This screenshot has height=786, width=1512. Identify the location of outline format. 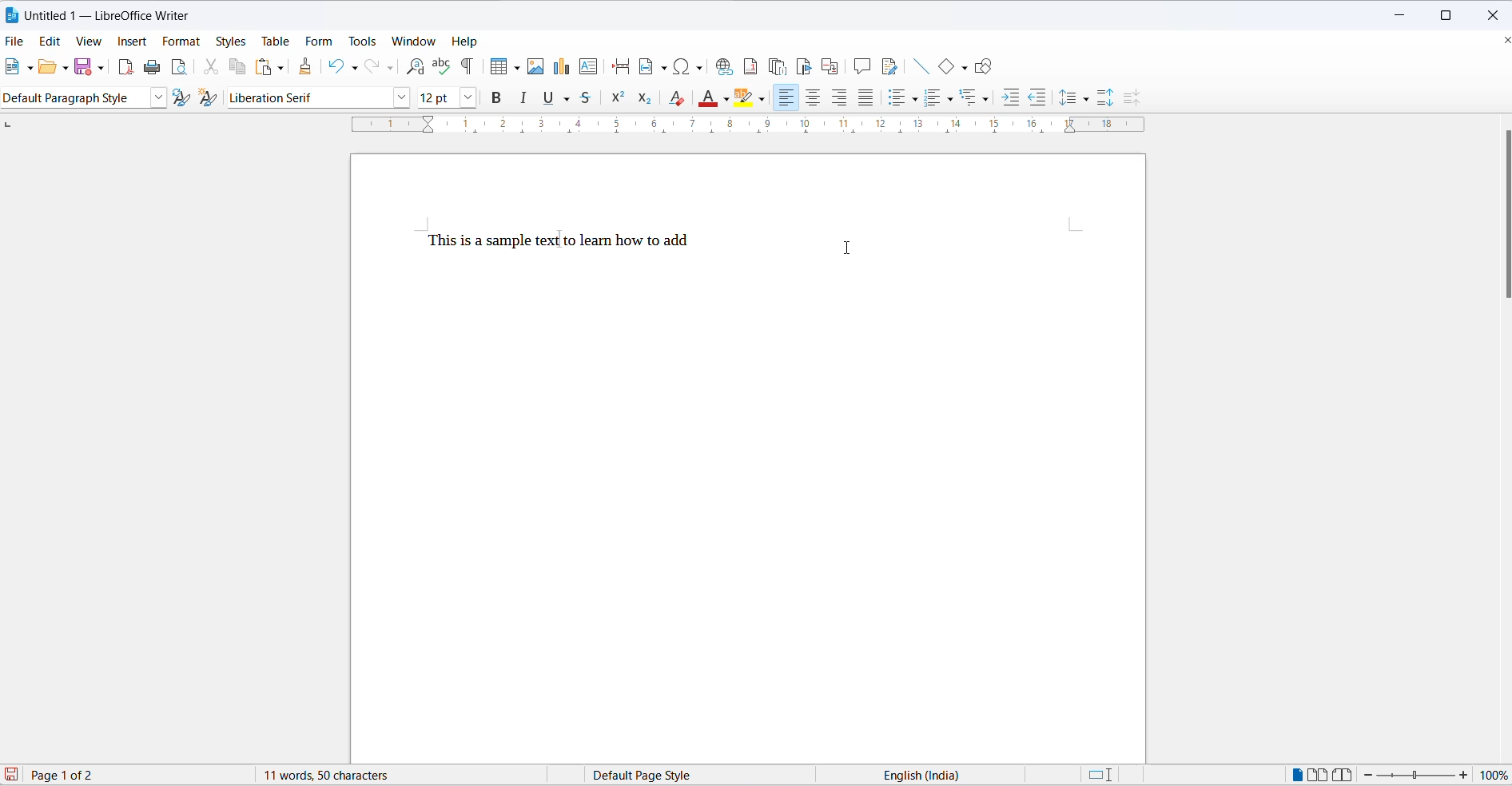
(971, 97).